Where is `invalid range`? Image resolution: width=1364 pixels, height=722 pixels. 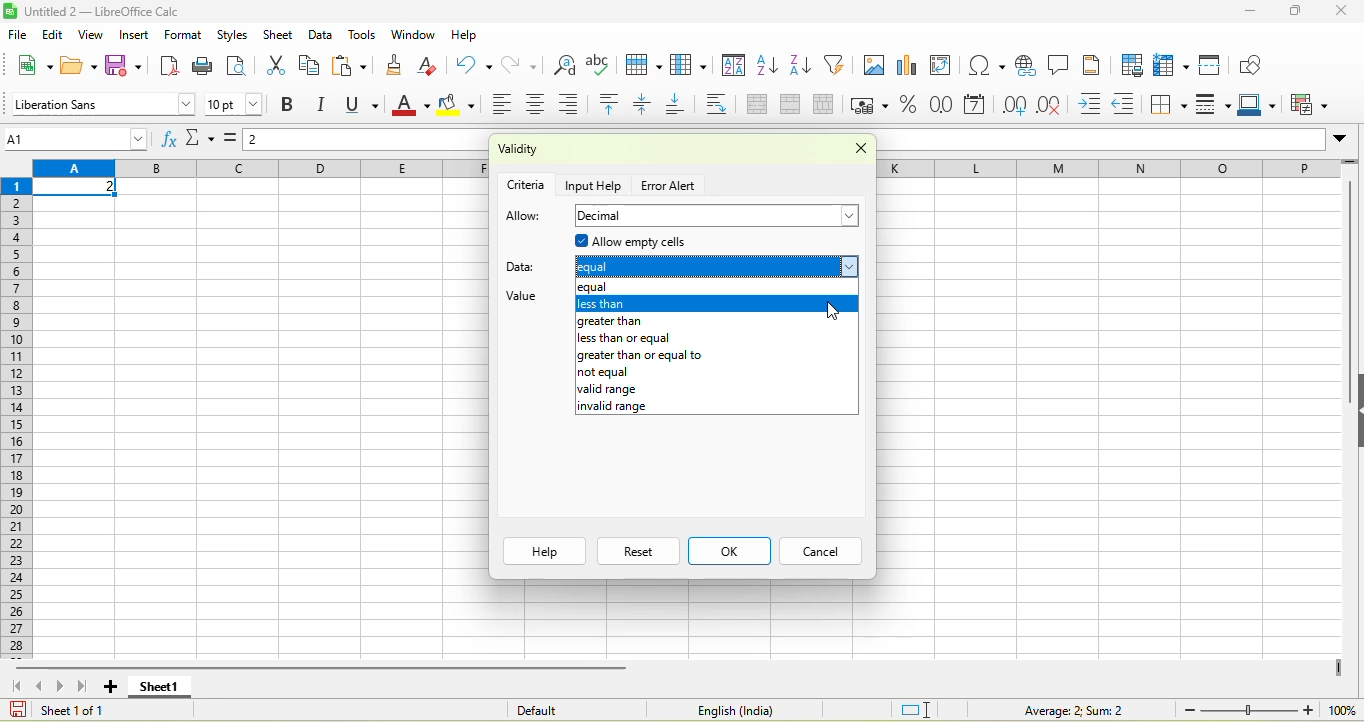
invalid range is located at coordinates (711, 406).